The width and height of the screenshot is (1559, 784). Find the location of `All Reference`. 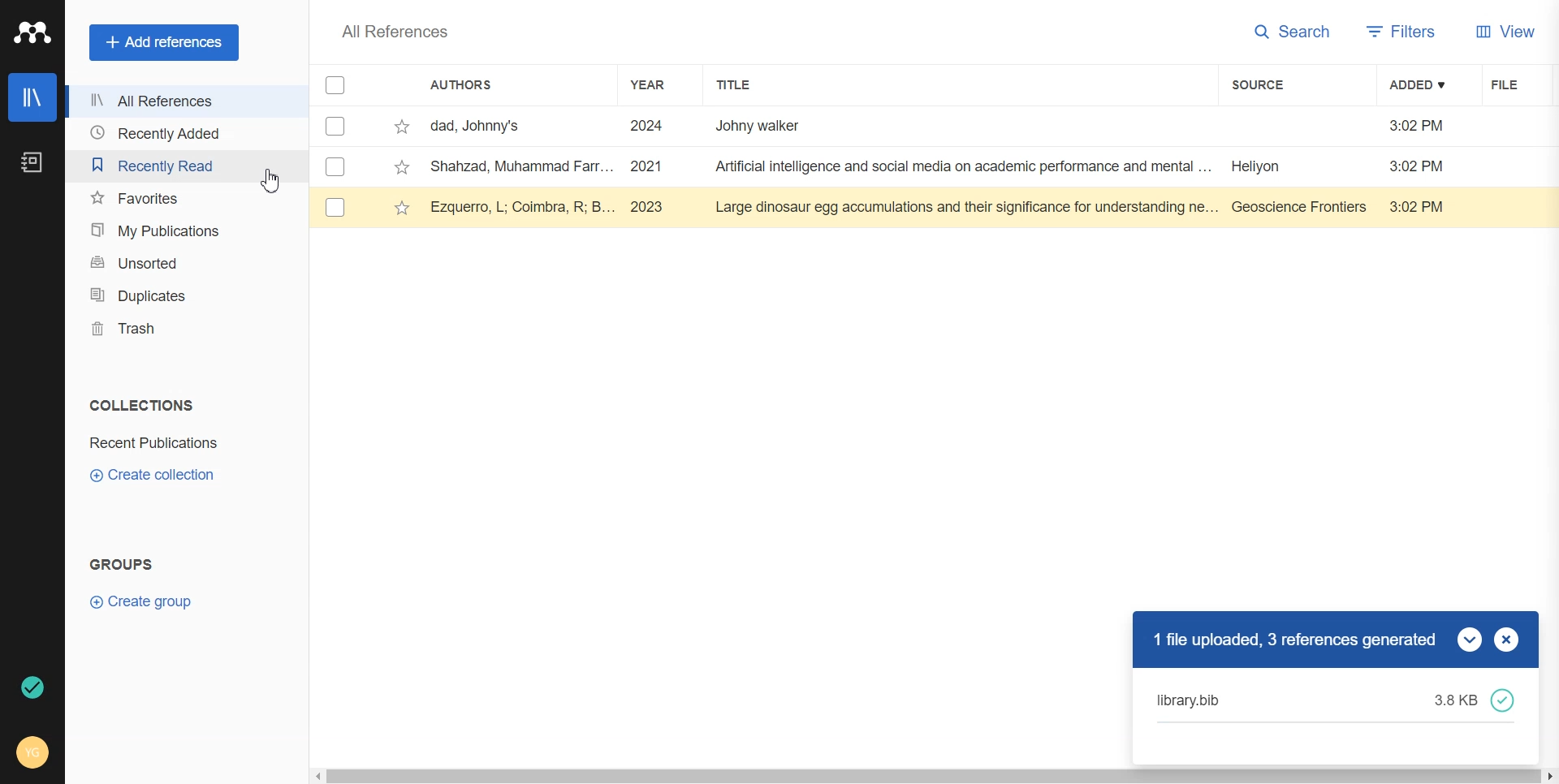

All Reference is located at coordinates (177, 100).